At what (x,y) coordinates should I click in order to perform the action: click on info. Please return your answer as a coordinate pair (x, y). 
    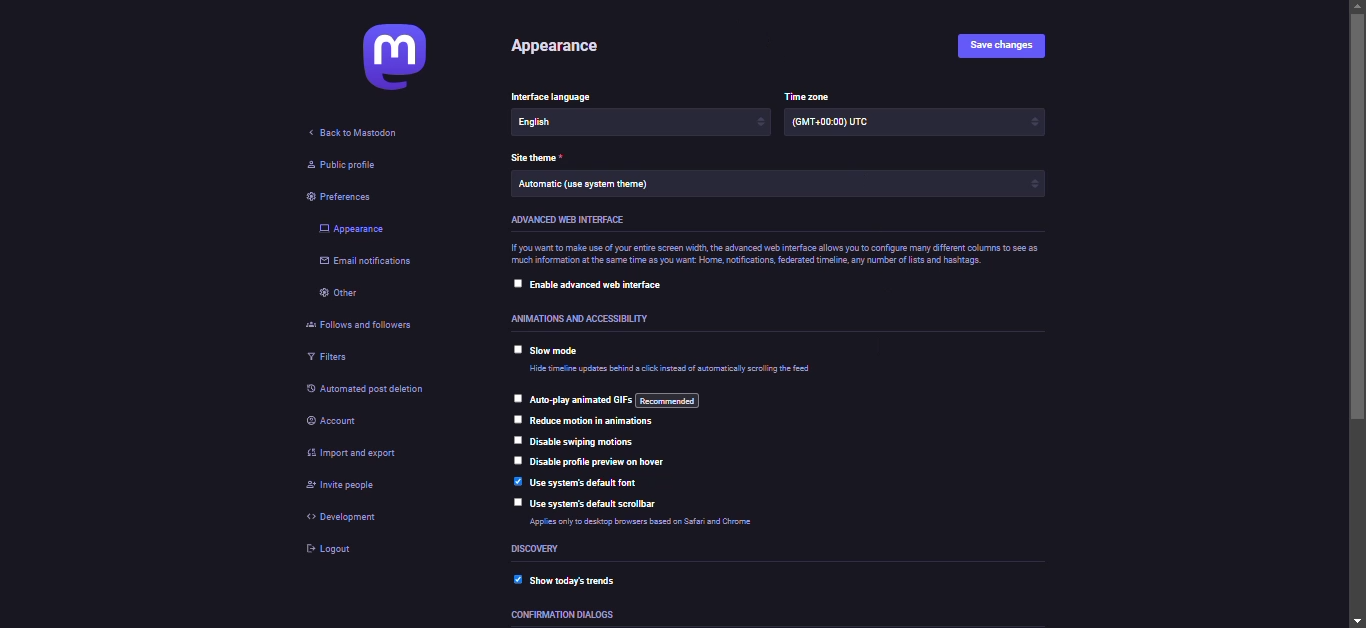
    Looking at the image, I should click on (772, 255).